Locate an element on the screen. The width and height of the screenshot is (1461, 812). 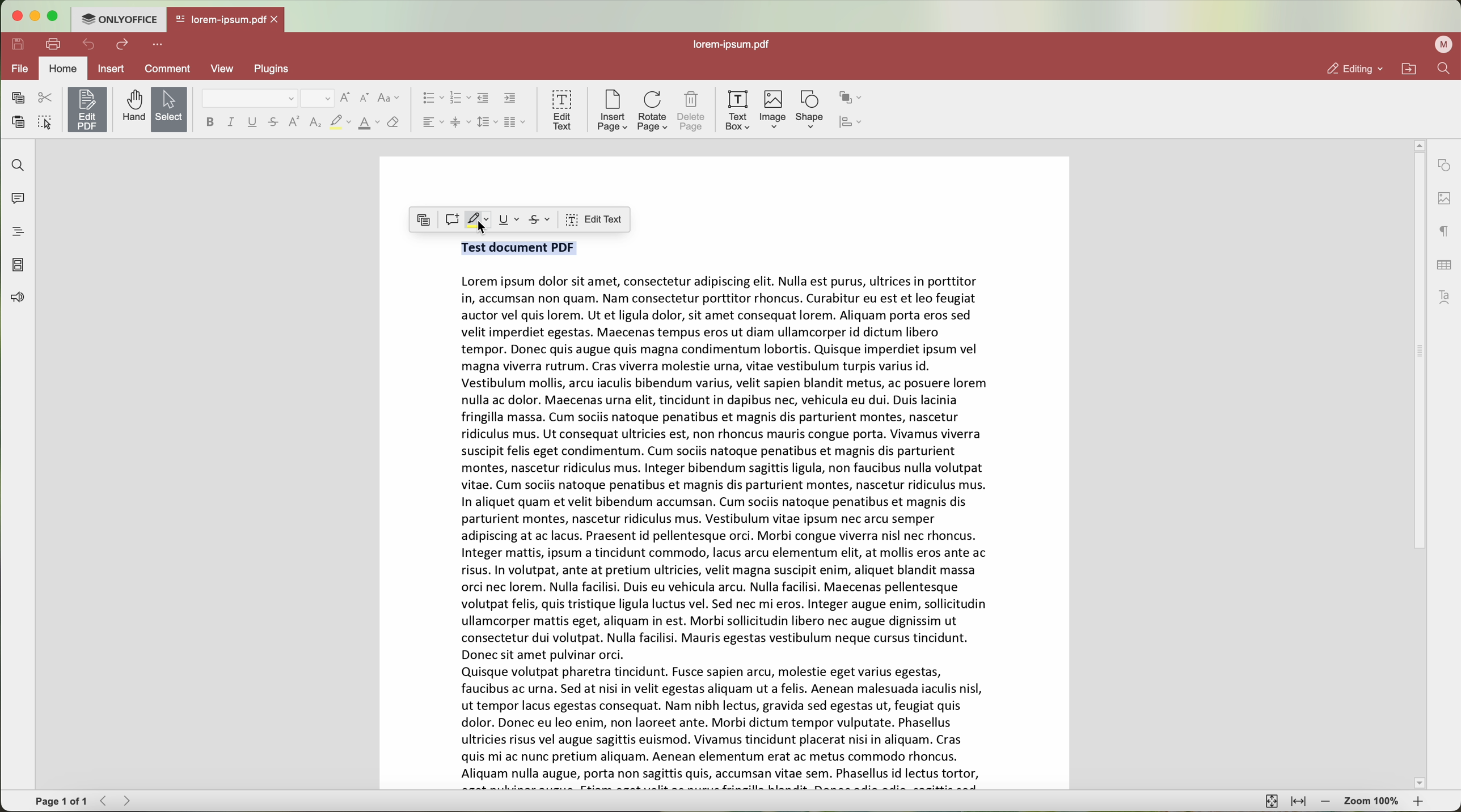
align shape is located at coordinates (852, 124).